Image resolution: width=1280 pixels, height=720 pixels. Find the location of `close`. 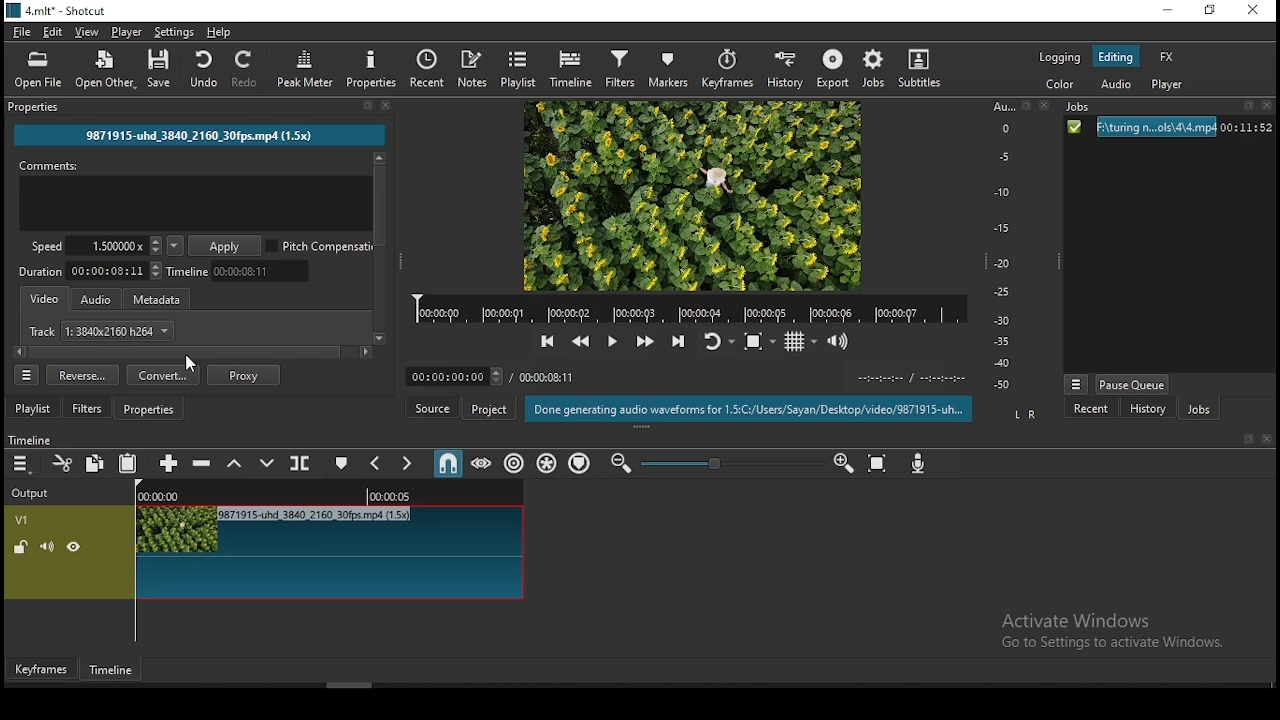

close is located at coordinates (1041, 106).